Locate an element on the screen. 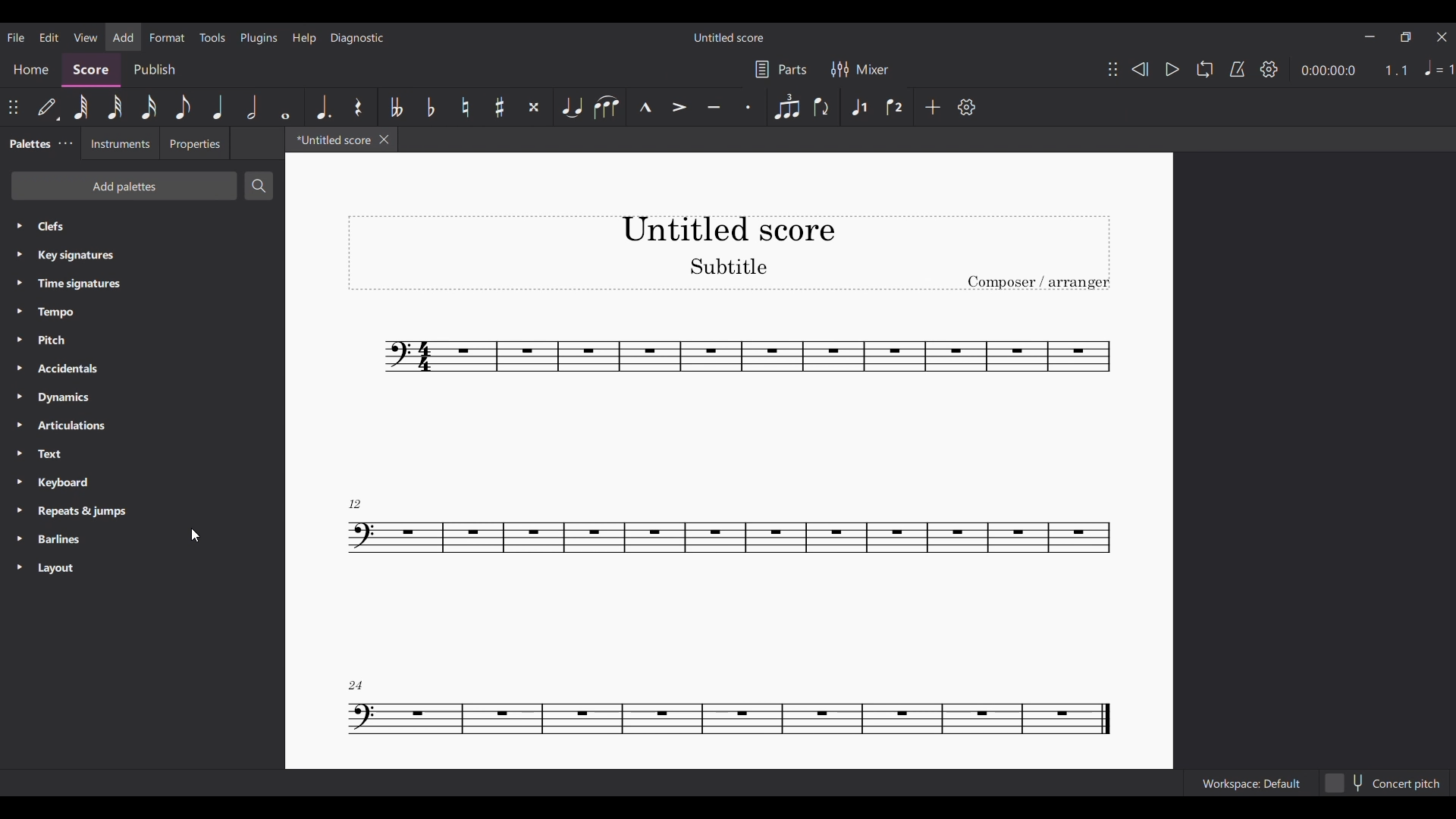 Image resolution: width=1456 pixels, height=819 pixels. Whole note is located at coordinates (84, 109).